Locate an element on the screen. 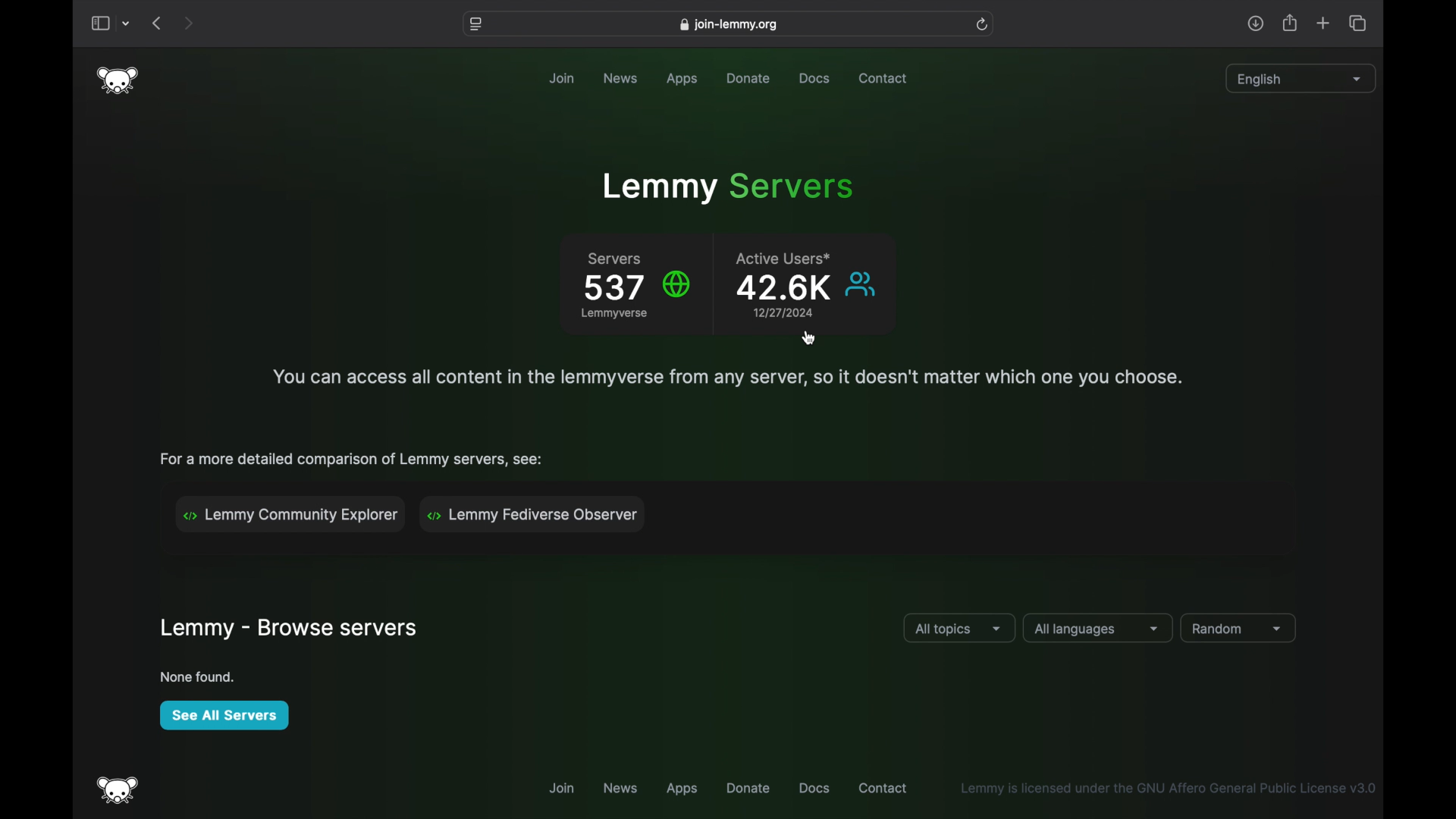 The height and width of the screenshot is (819, 1456). dropdown is located at coordinates (127, 24).